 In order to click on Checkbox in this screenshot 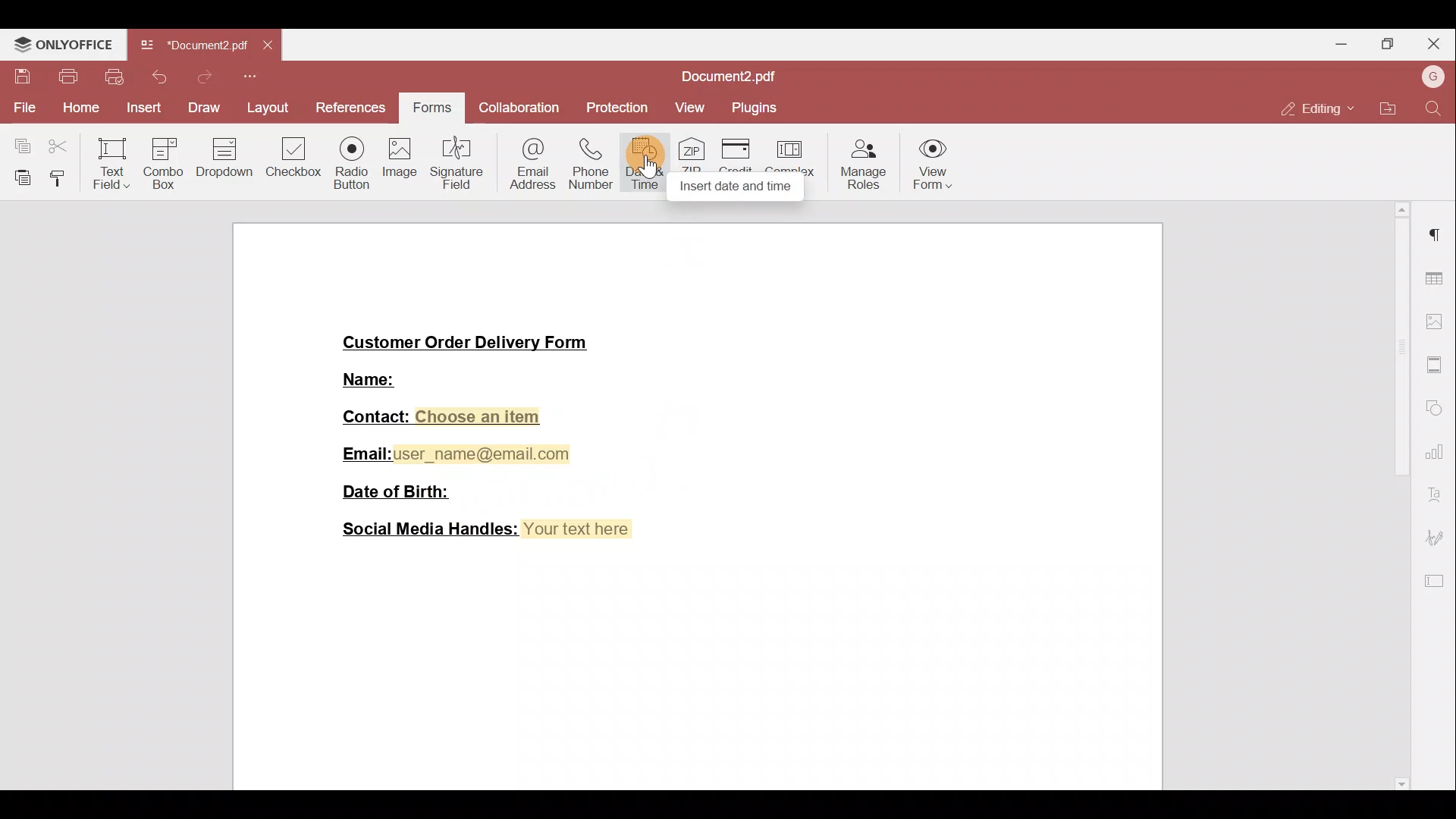, I will do `click(295, 163)`.